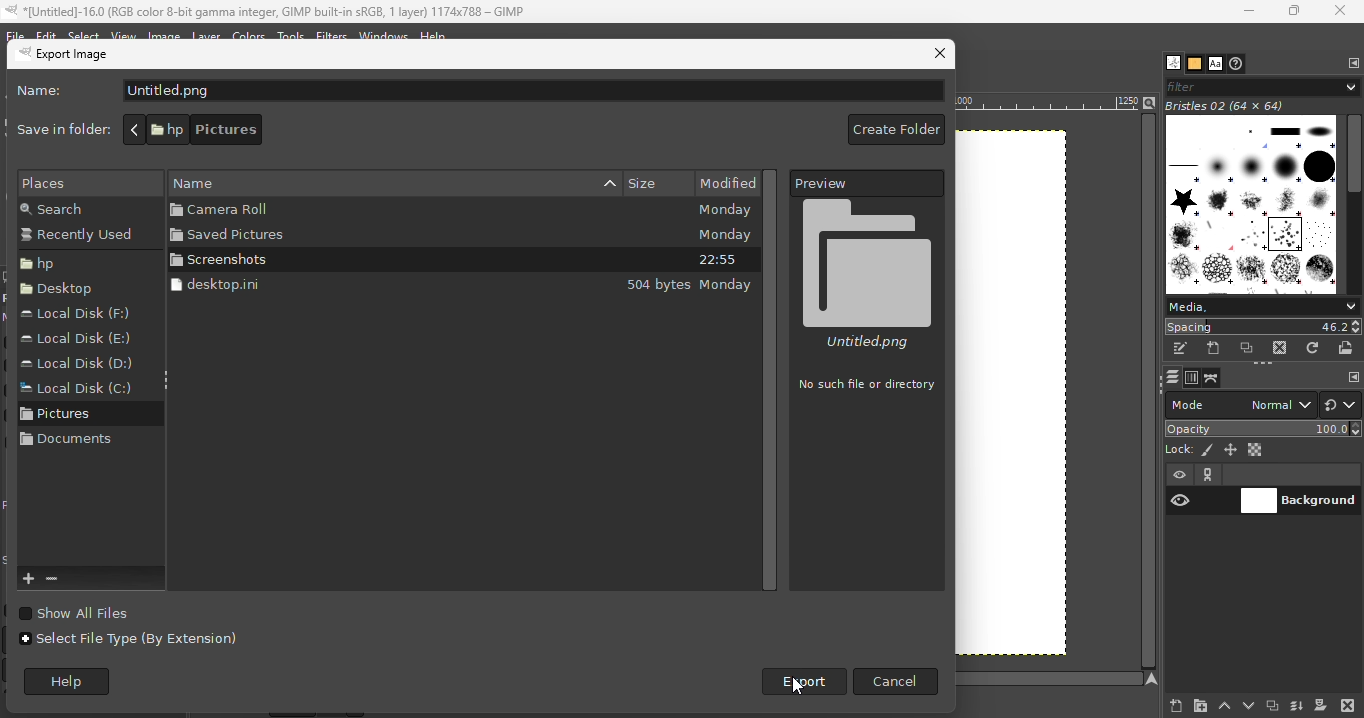  I want to click on Apply the effect of the layer mask and remove it, so click(1320, 707).